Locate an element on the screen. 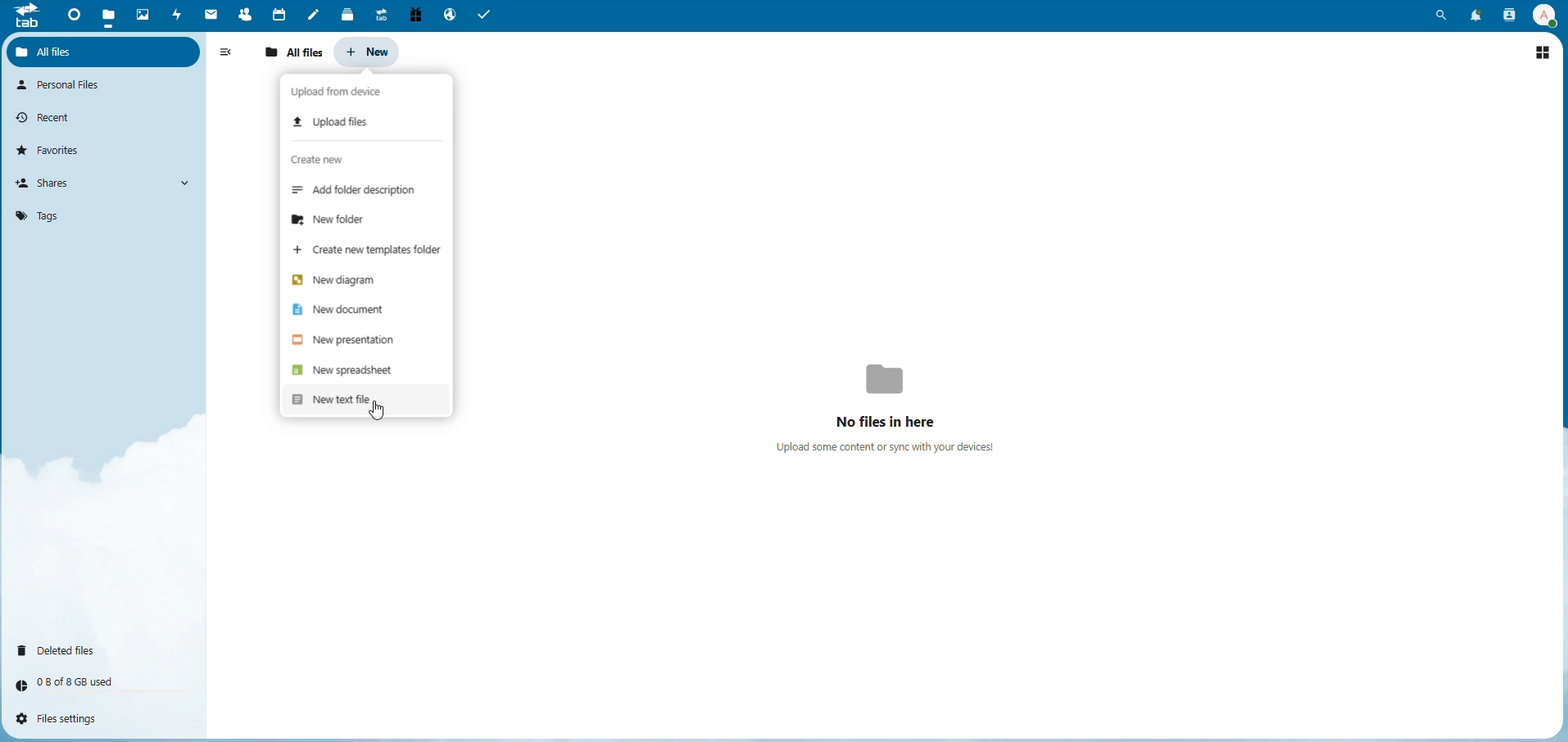 The width and height of the screenshot is (1568, 742). New is located at coordinates (369, 51).